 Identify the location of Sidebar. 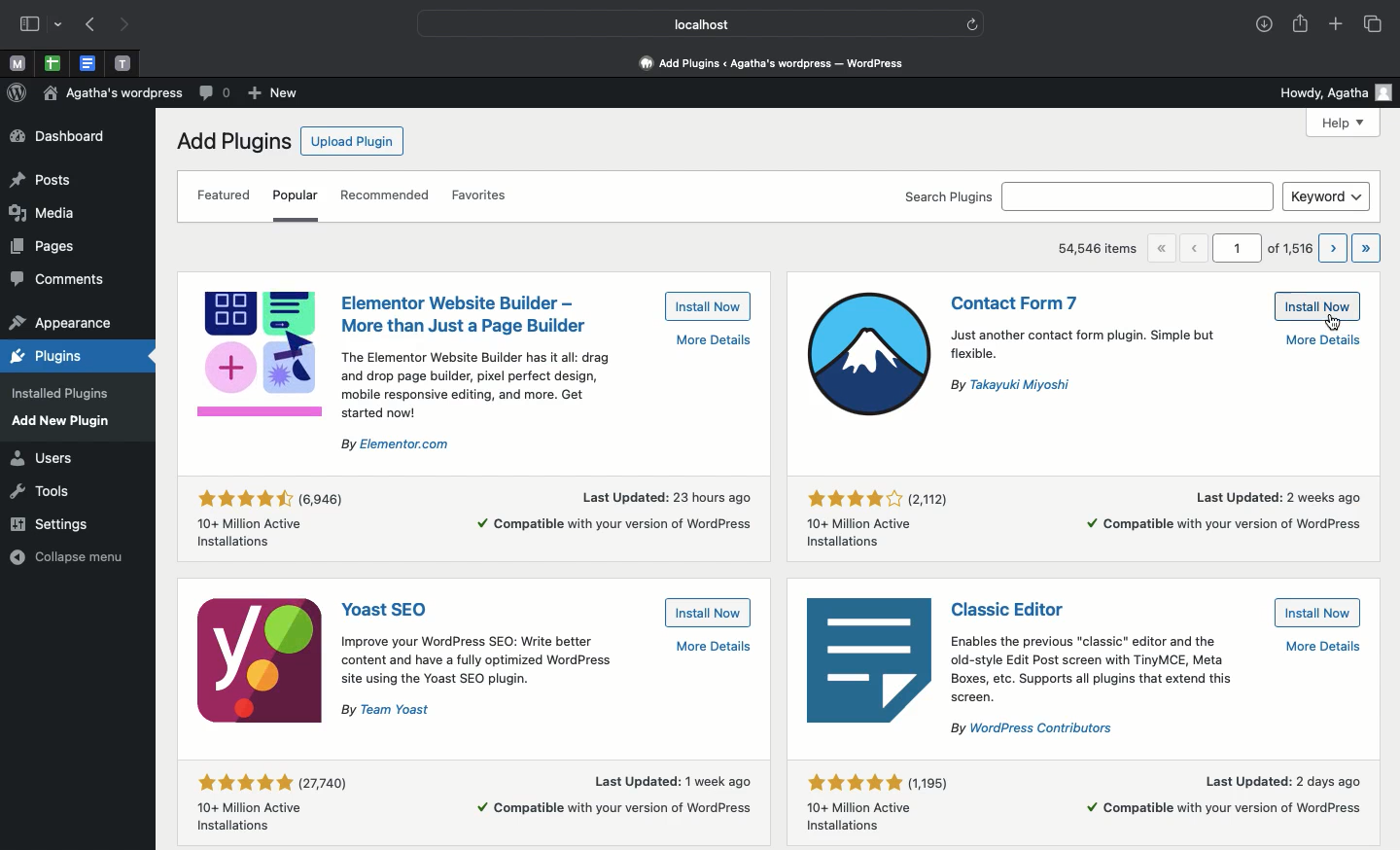
(31, 25).